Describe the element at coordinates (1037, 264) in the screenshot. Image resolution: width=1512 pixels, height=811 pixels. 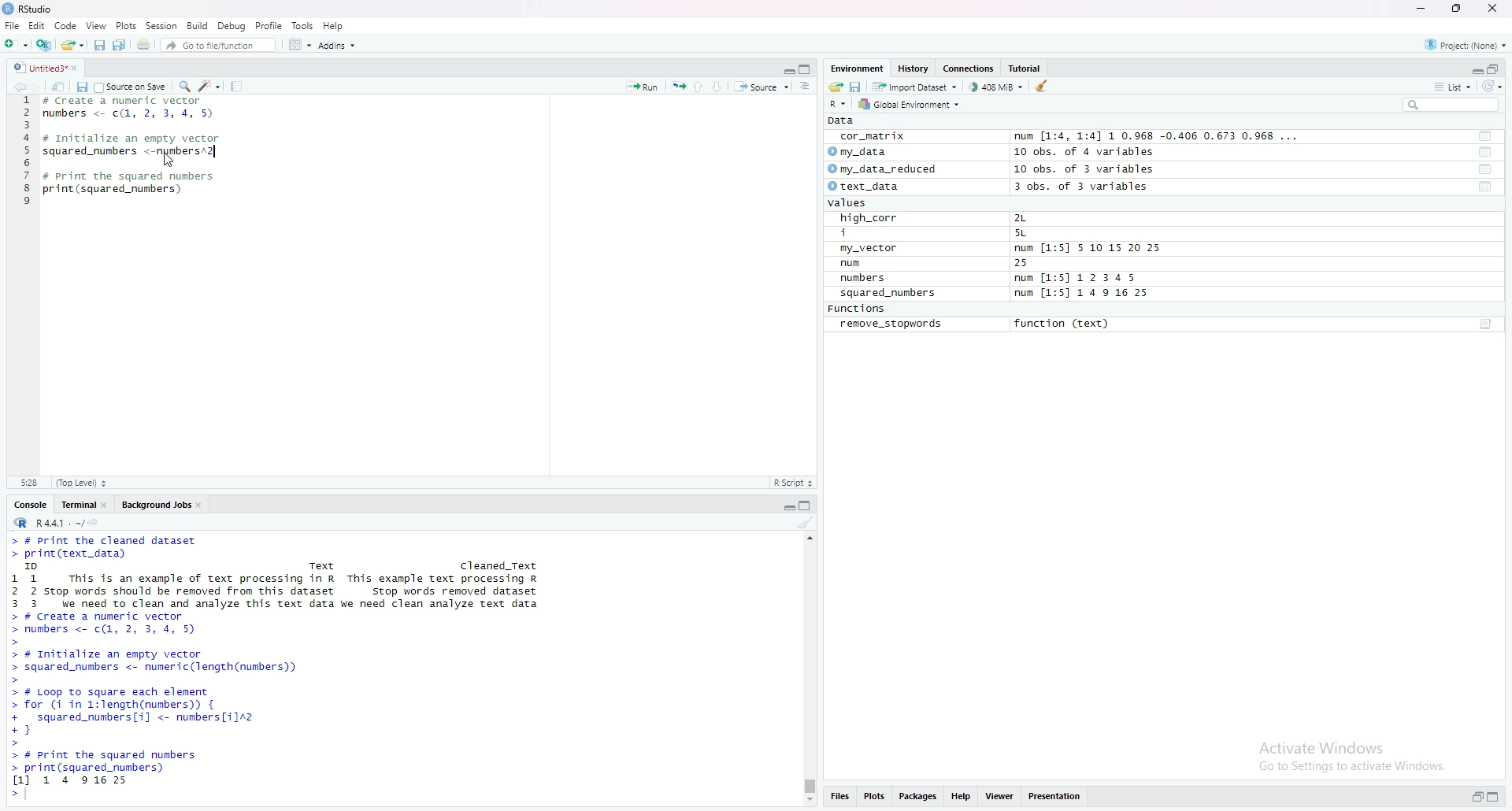
I see `25` at that location.